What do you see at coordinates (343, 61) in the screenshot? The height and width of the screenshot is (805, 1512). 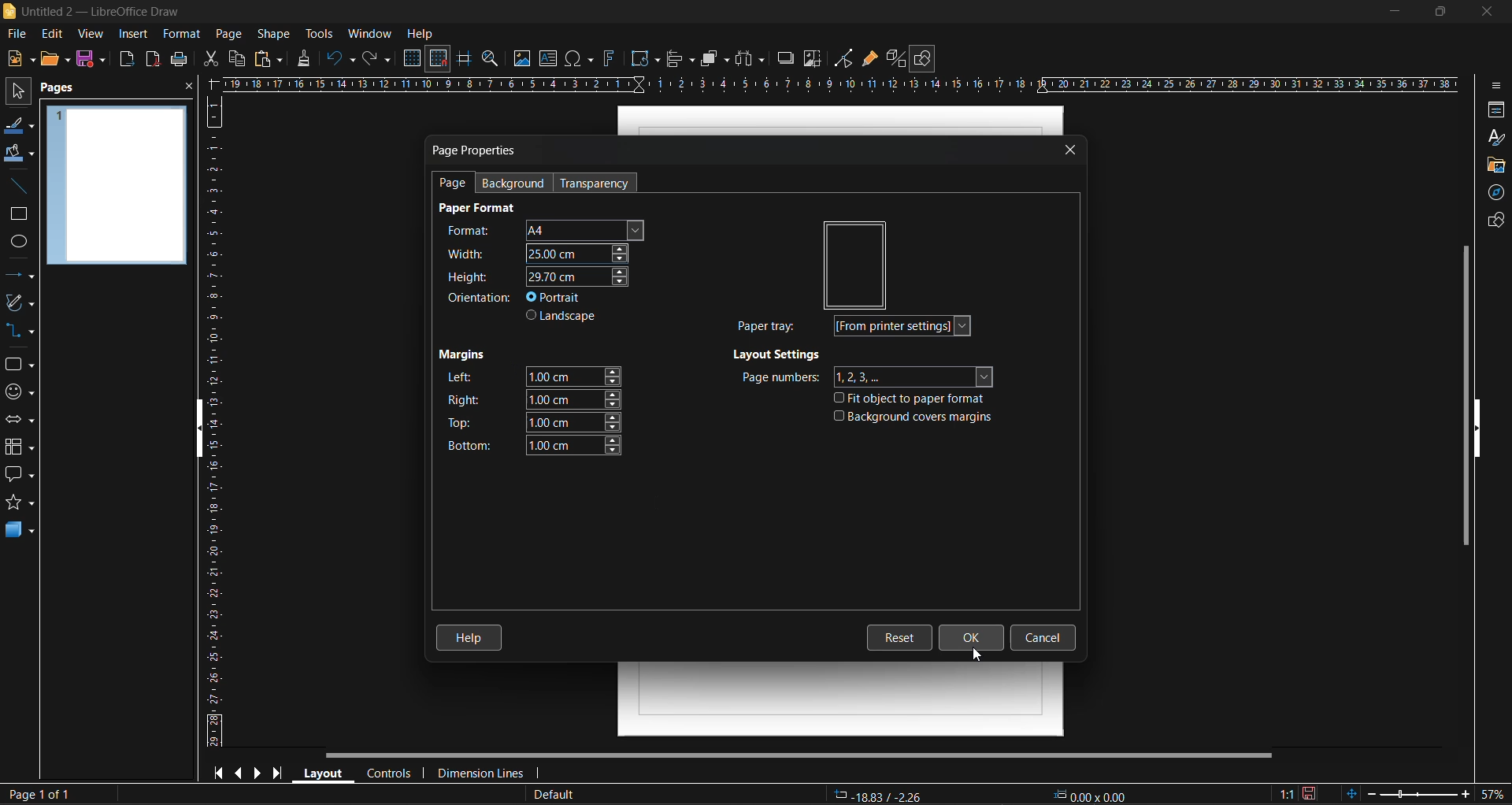 I see `undo` at bounding box center [343, 61].